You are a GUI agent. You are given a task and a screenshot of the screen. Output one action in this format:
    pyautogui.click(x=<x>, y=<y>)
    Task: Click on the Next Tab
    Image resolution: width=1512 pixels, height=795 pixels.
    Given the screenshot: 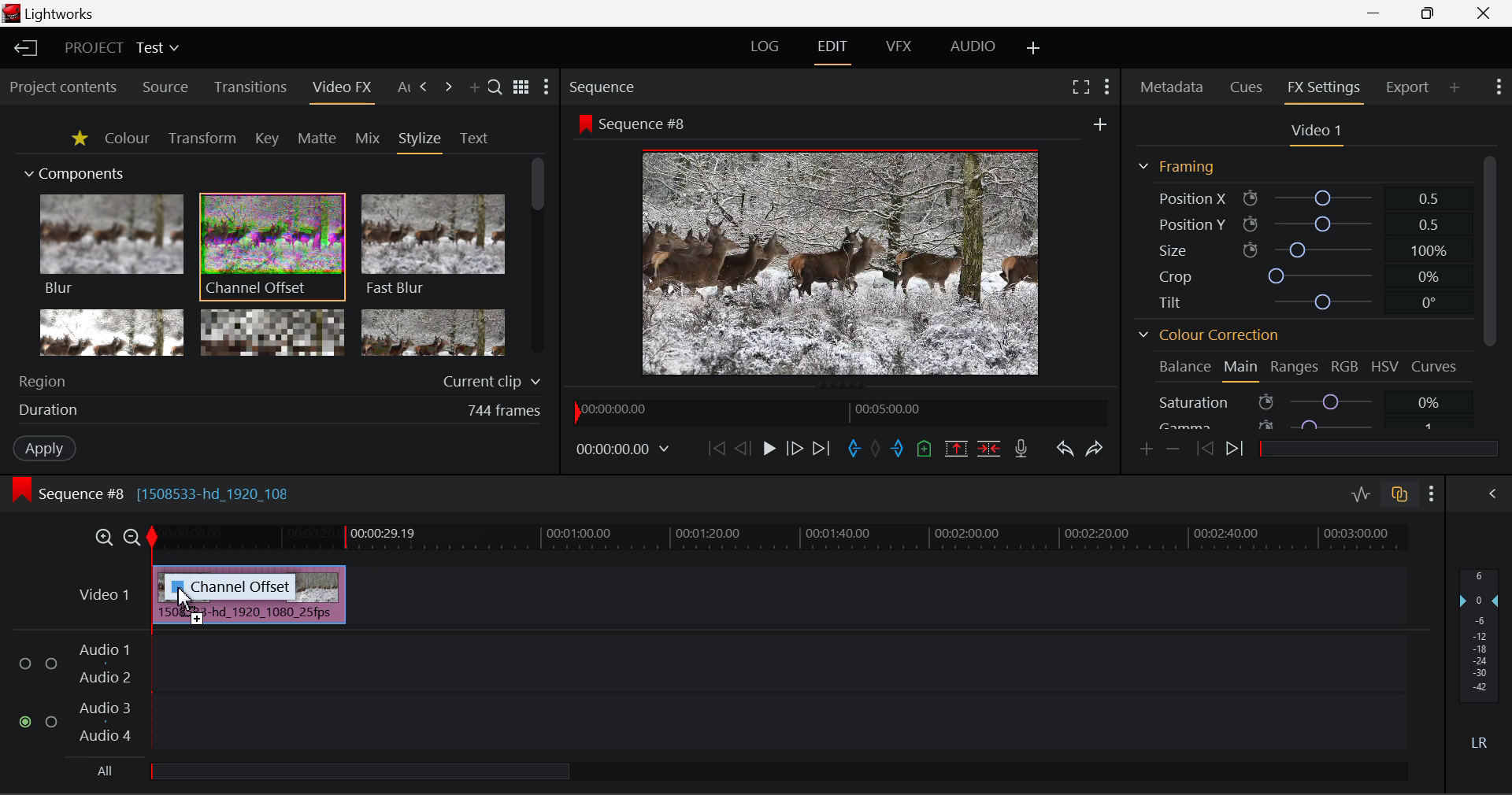 What is the action you would take?
    pyautogui.click(x=448, y=87)
    